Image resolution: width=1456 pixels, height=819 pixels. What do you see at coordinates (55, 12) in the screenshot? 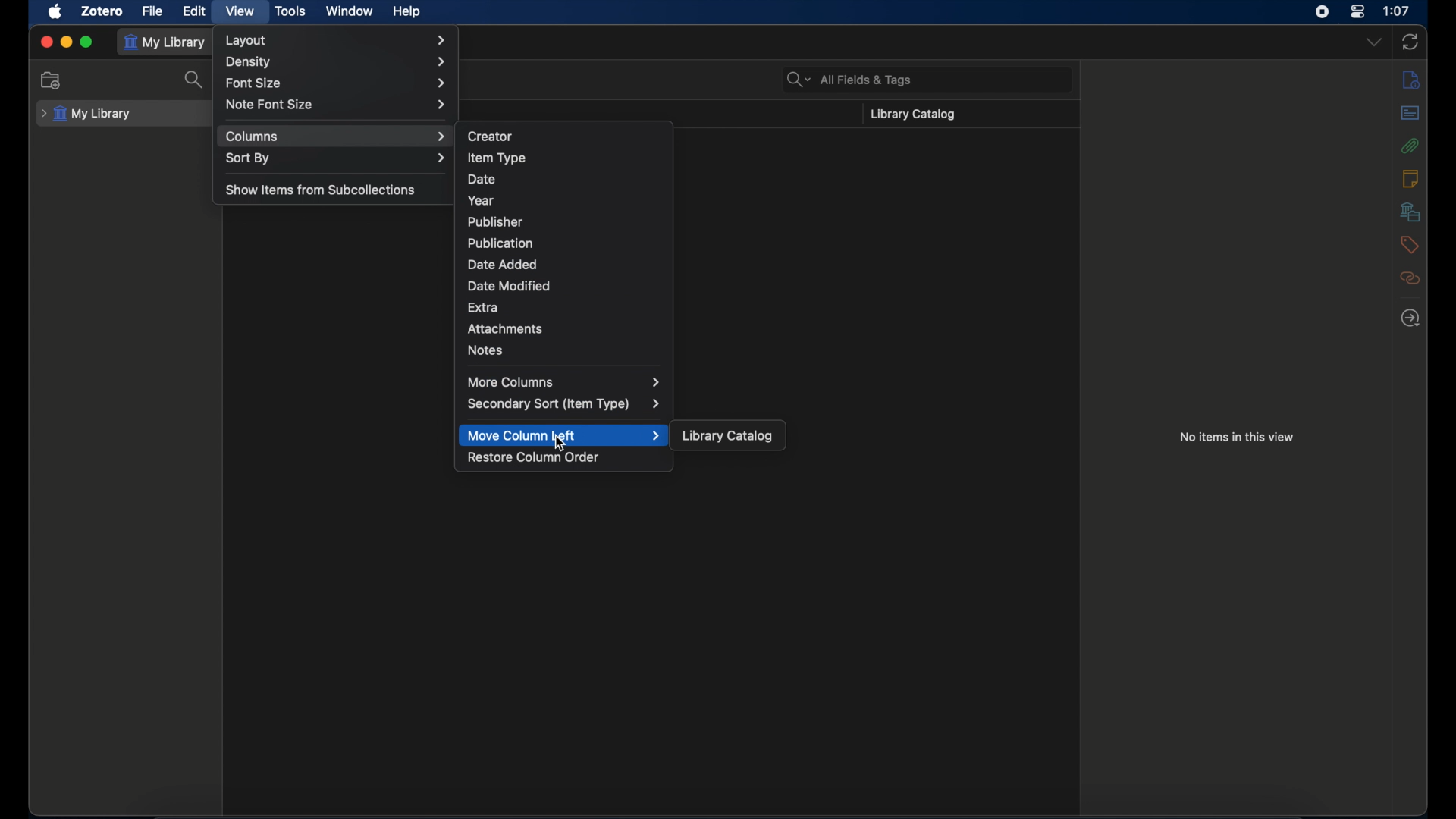
I see `apple` at bounding box center [55, 12].